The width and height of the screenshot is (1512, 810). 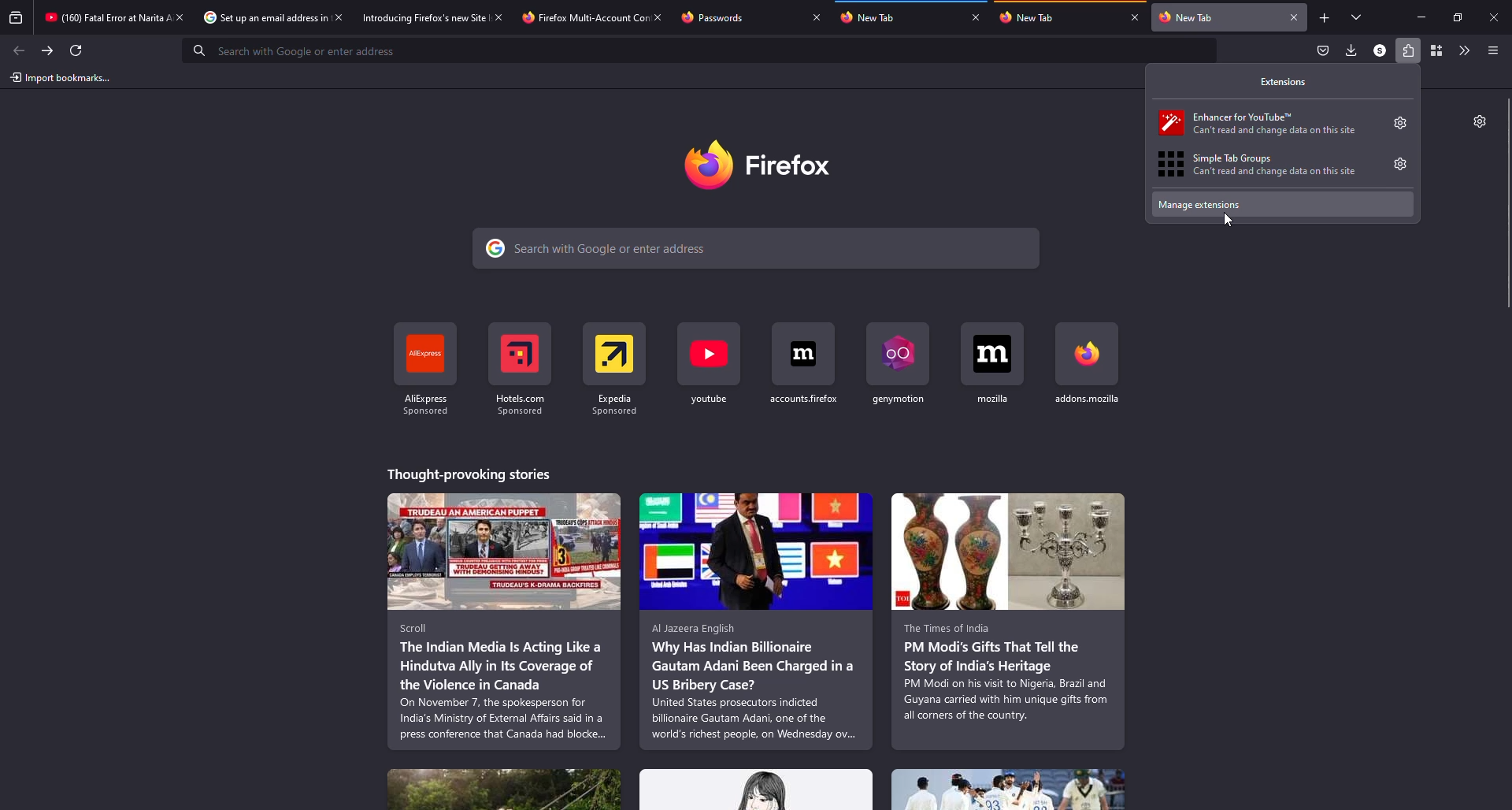 I want to click on search, so click(x=752, y=248).